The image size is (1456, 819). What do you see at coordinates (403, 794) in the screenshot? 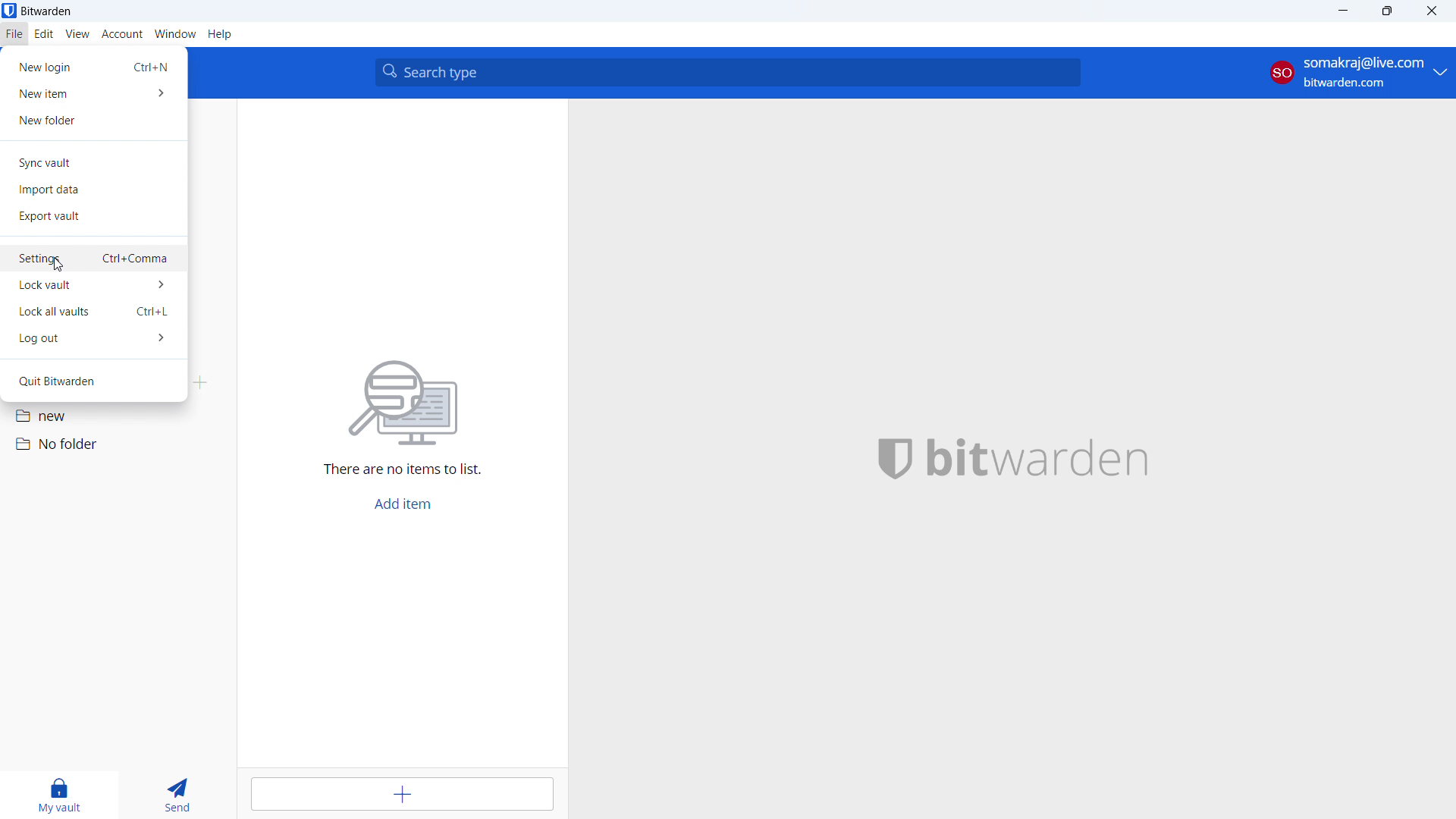
I see `add item` at bounding box center [403, 794].